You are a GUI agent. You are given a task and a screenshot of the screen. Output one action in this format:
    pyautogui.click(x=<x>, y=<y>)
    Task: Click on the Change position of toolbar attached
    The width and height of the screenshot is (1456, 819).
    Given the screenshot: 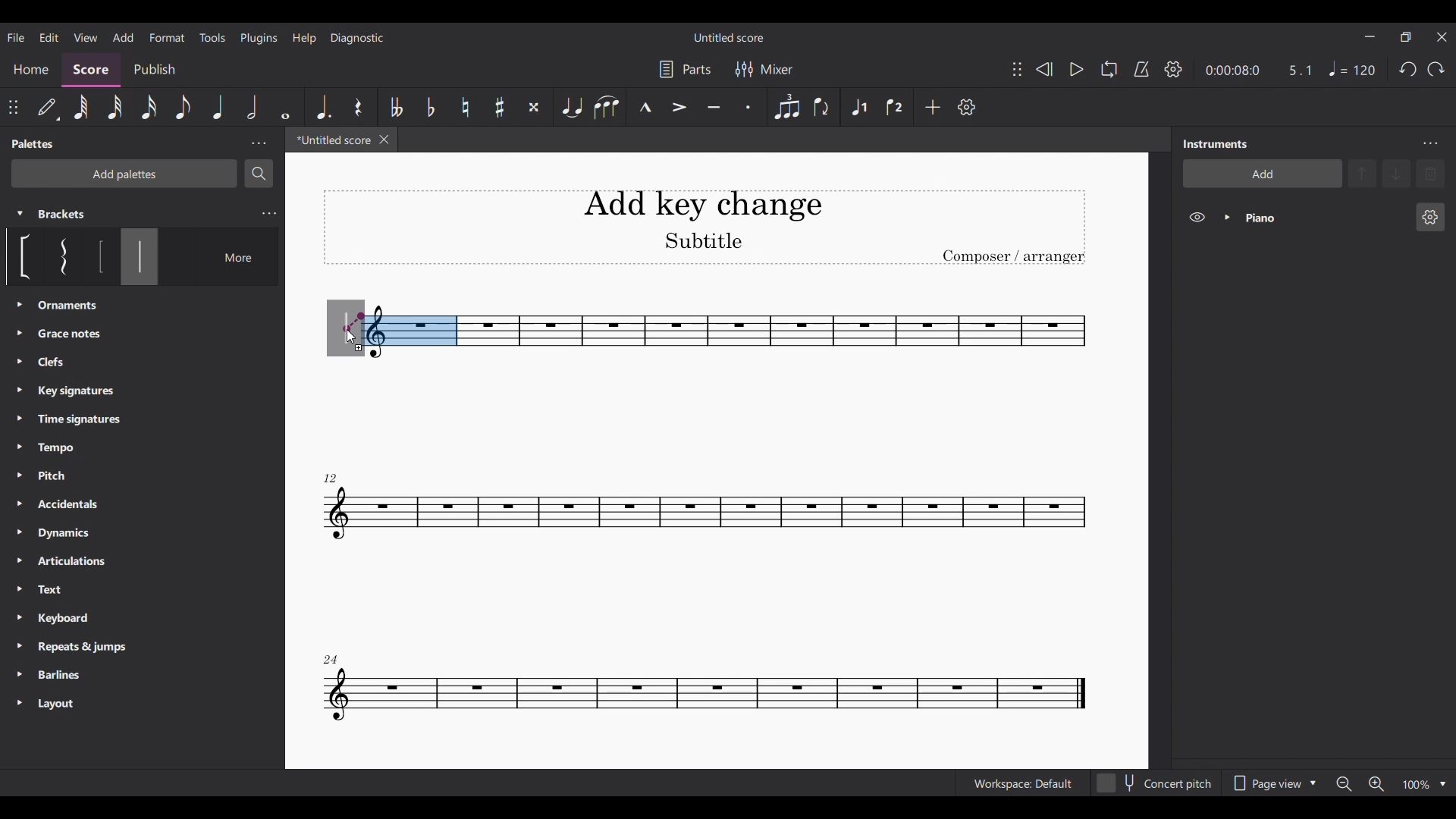 What is the action you would take?
    pyautogui.click(x=1017, y=69)
    